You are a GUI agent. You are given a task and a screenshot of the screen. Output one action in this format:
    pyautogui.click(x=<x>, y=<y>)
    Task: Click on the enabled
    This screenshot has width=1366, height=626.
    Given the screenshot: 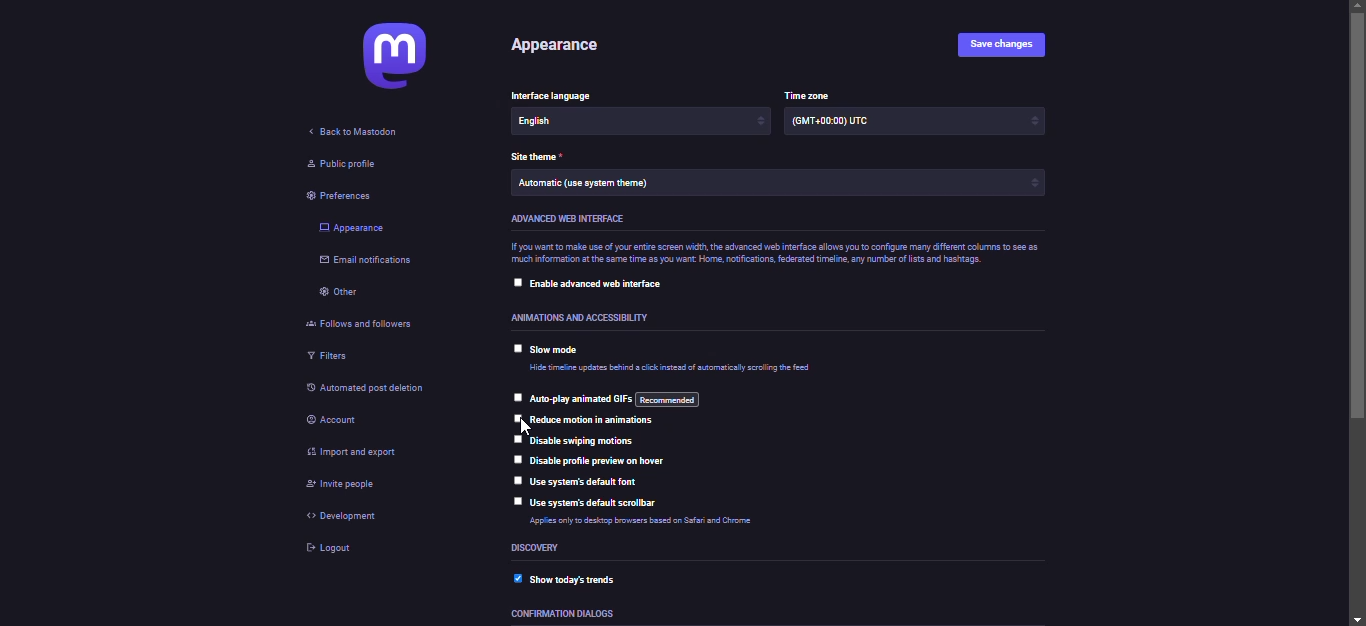 What is the action you would take?
    pyautogui.click(x=517, y=579)
    